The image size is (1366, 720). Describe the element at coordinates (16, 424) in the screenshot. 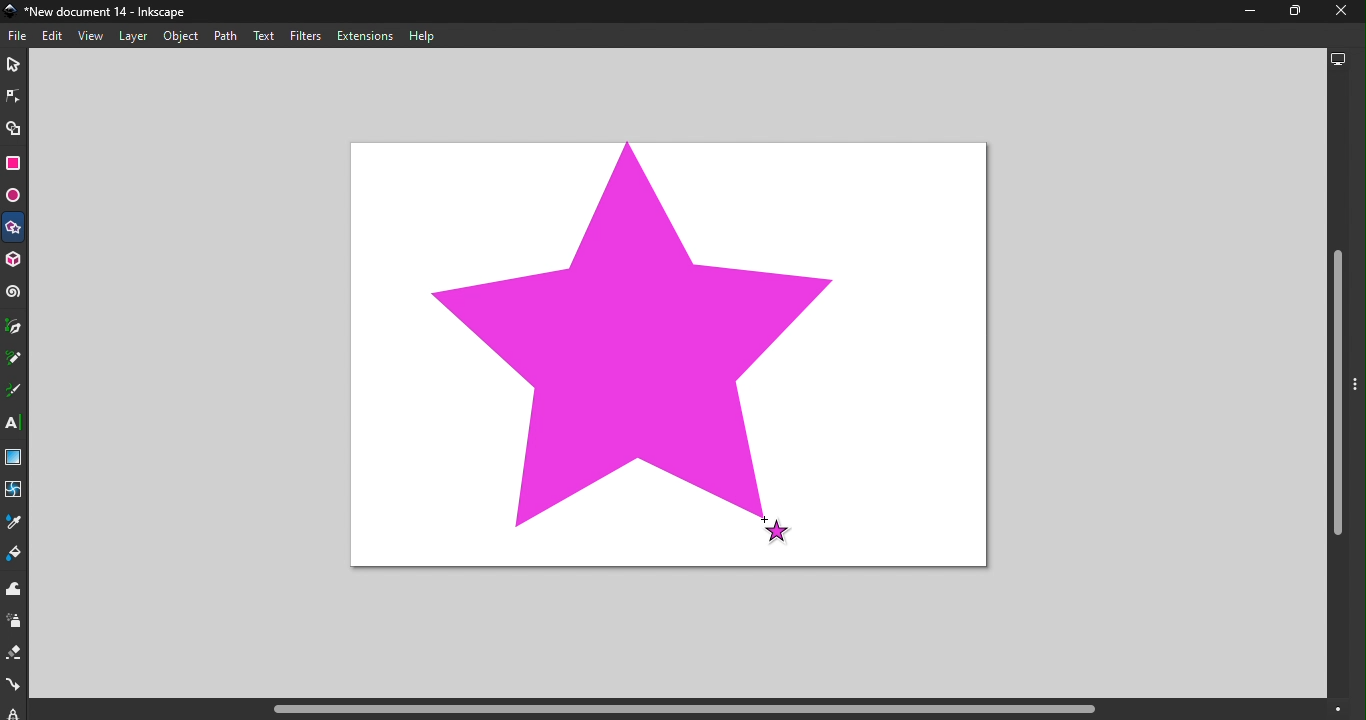

I see `Text tool` at that location.